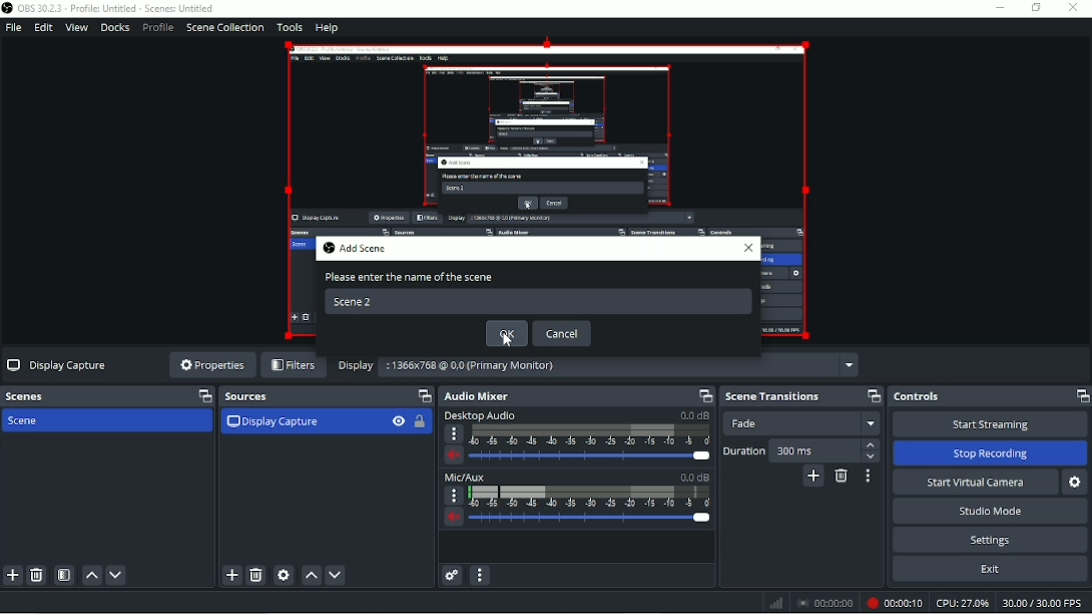 The width and height of the screenshot is (1092, 614). What do you see at coordinates (157, 28) in the screenshot?
I see `Profile` at bounding box center [157, 28].